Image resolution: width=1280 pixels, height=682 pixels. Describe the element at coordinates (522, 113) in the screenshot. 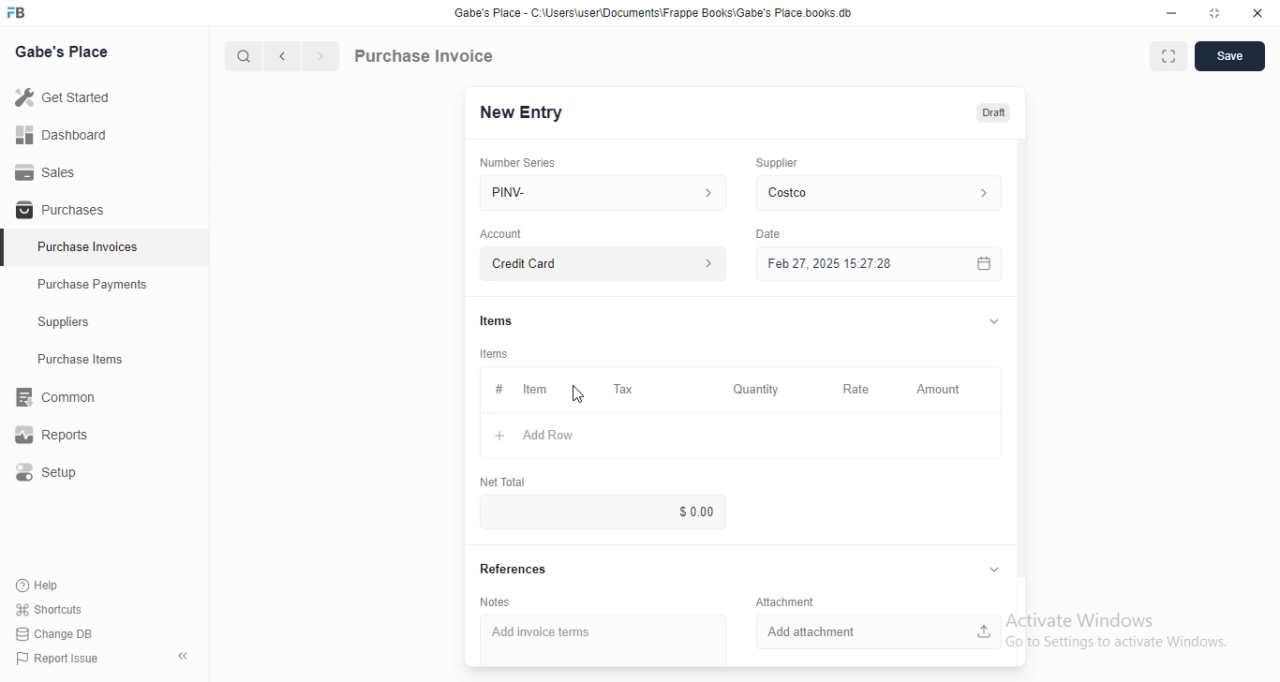

I see `New Entry` at that location.